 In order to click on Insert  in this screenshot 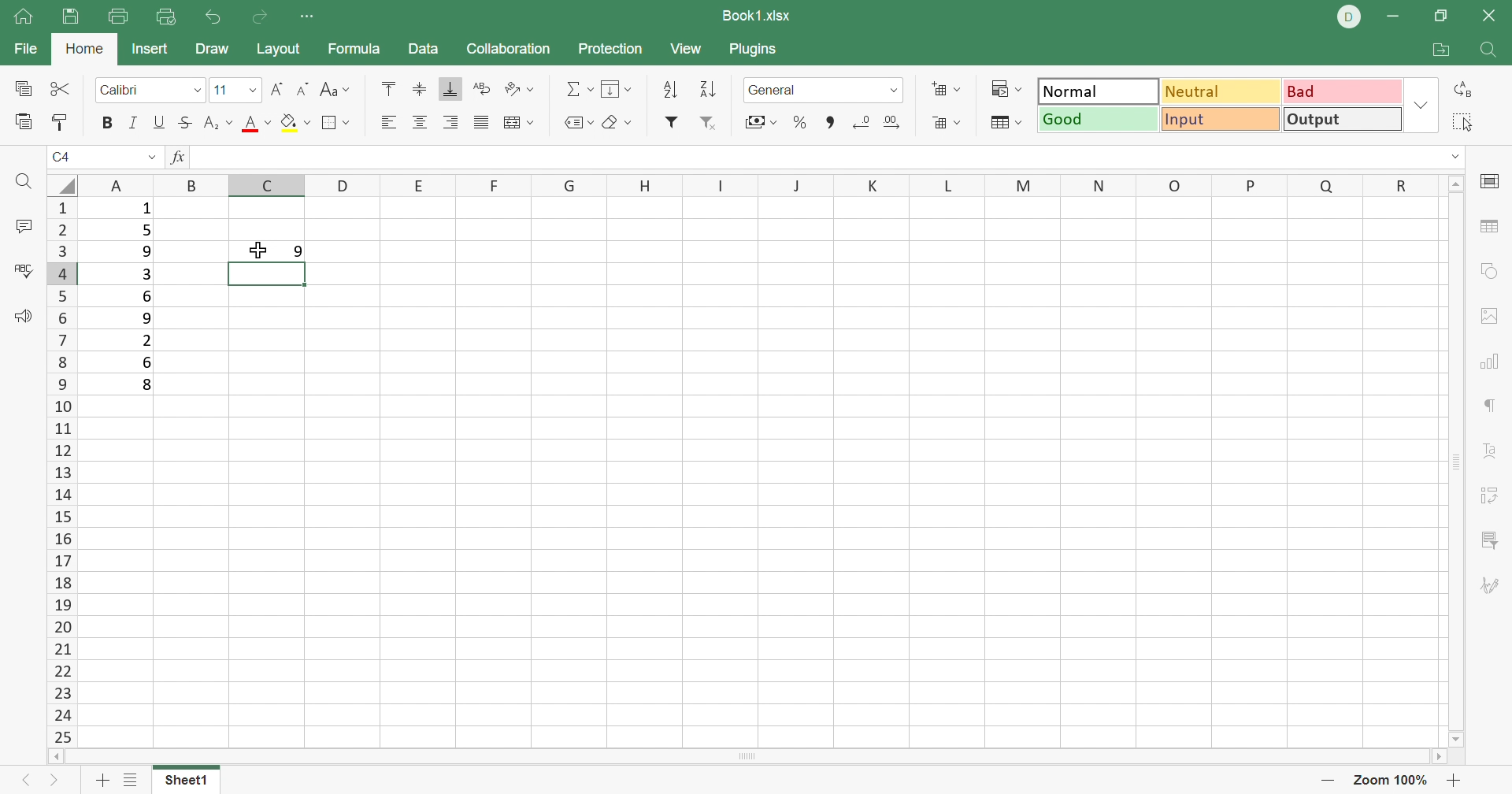, I will do `click(947, 88)`.